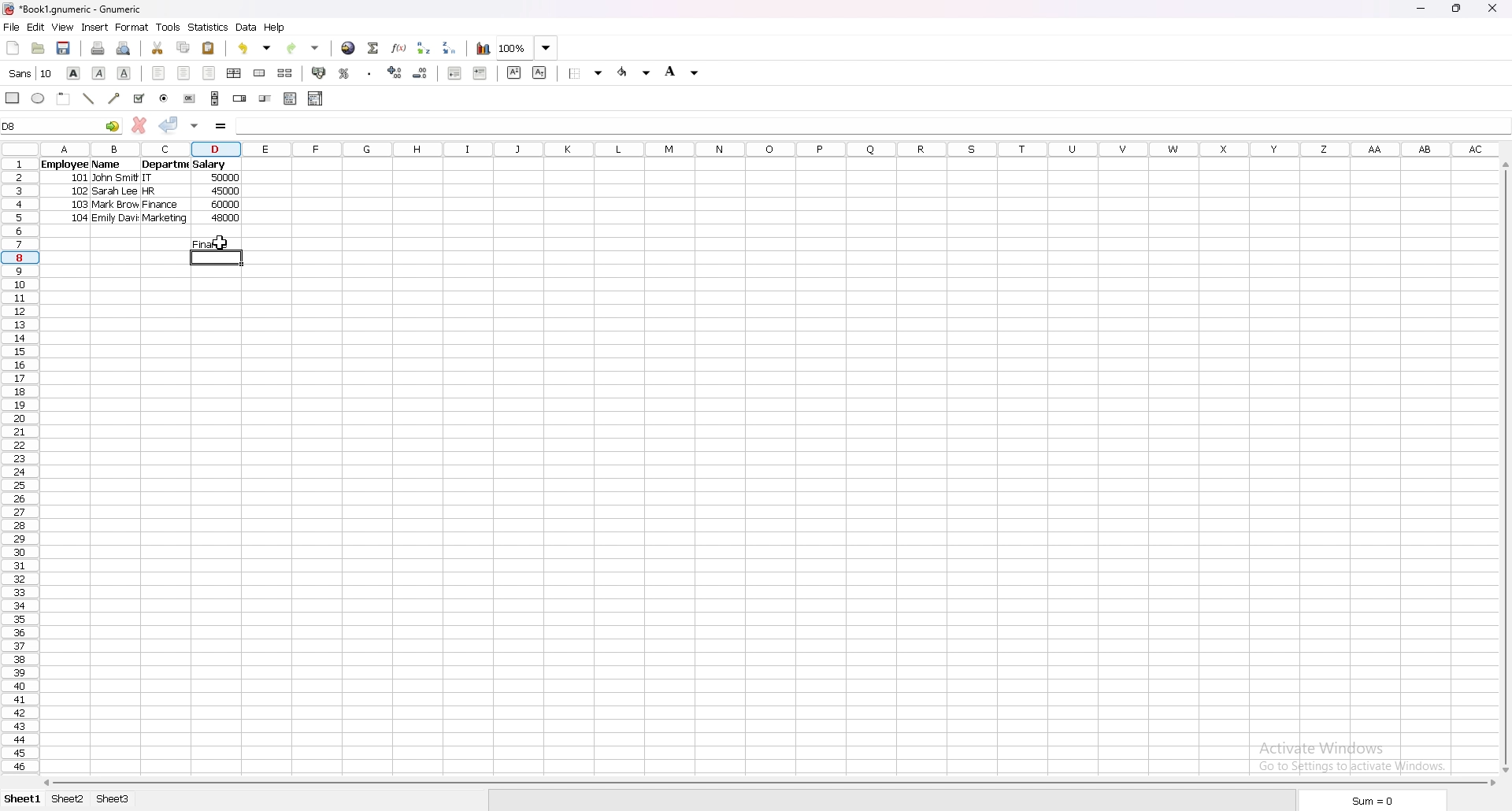 This screenshot has height=811, width=1512. I want to click on spin button, so click(240, 98).